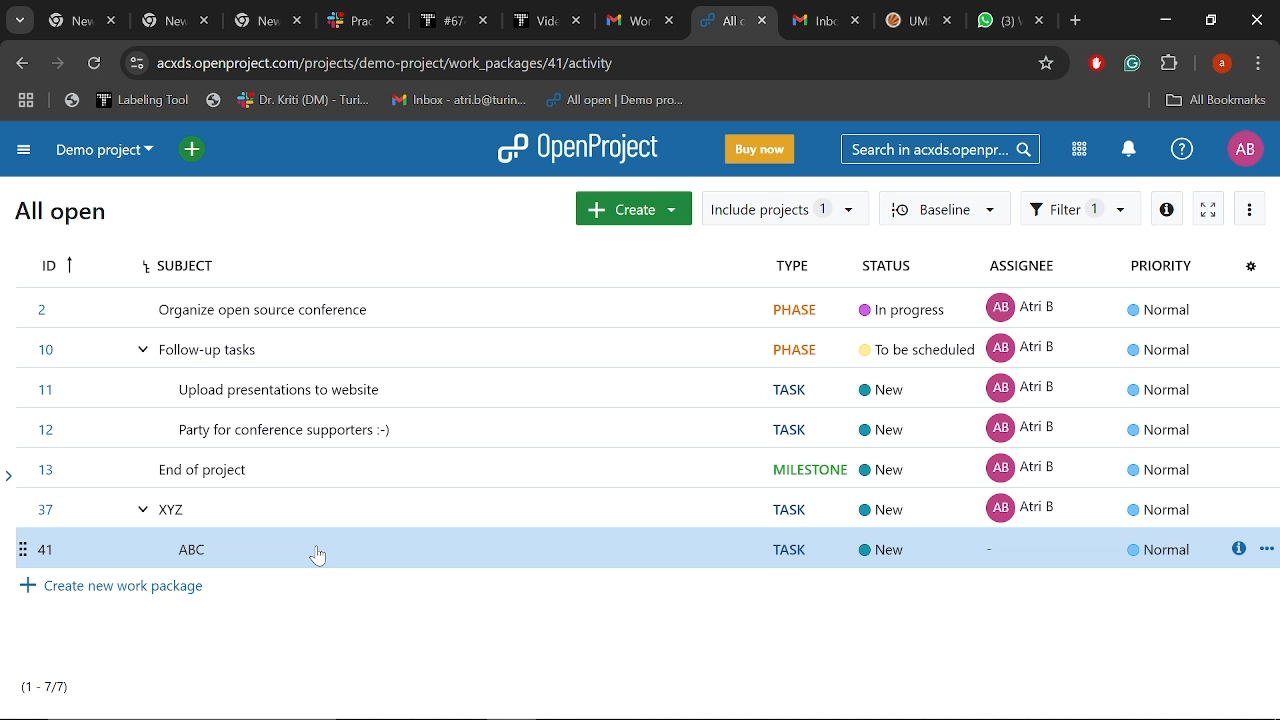 The image size is (1280, 720). I want to click on Other tabs, so click(918, 23).